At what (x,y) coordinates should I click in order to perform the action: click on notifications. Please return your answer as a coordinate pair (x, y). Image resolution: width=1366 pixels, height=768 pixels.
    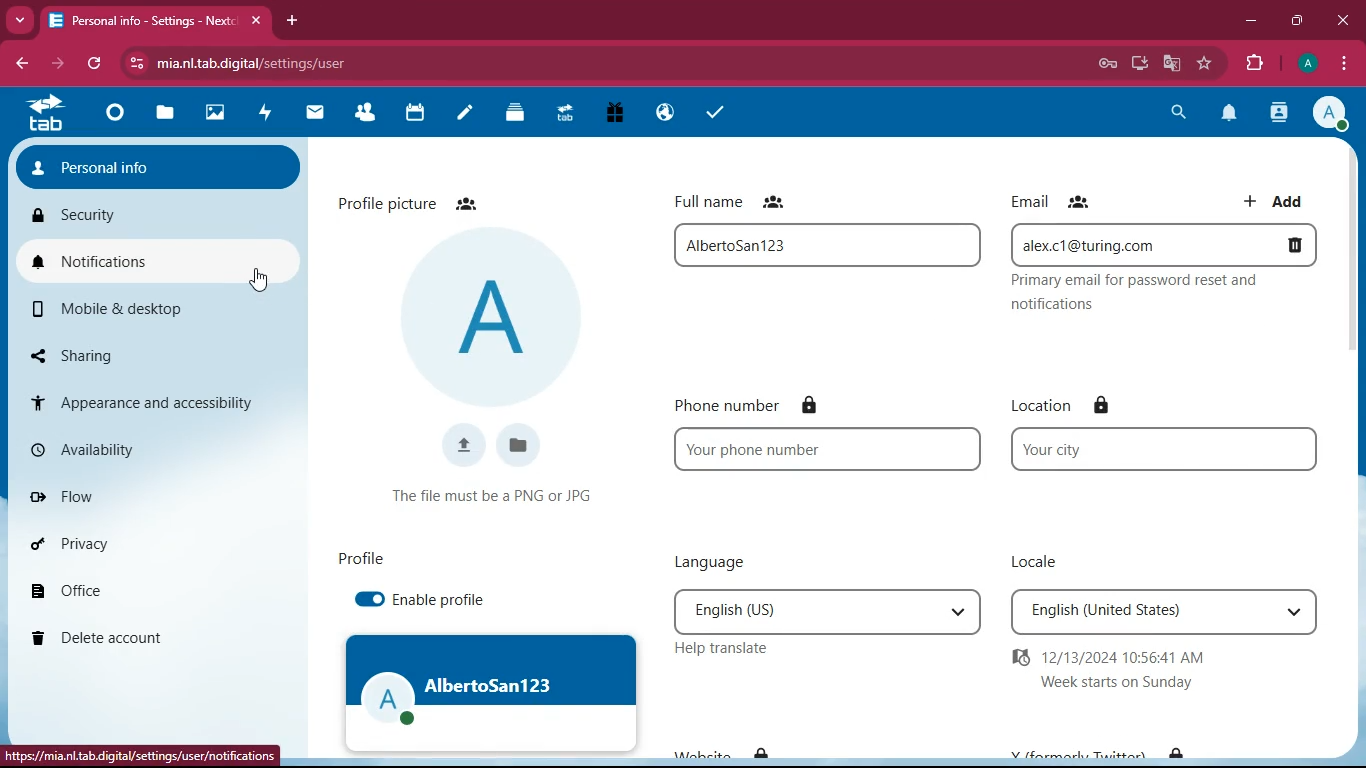
    Looking at the image, I should click on (158, 261).